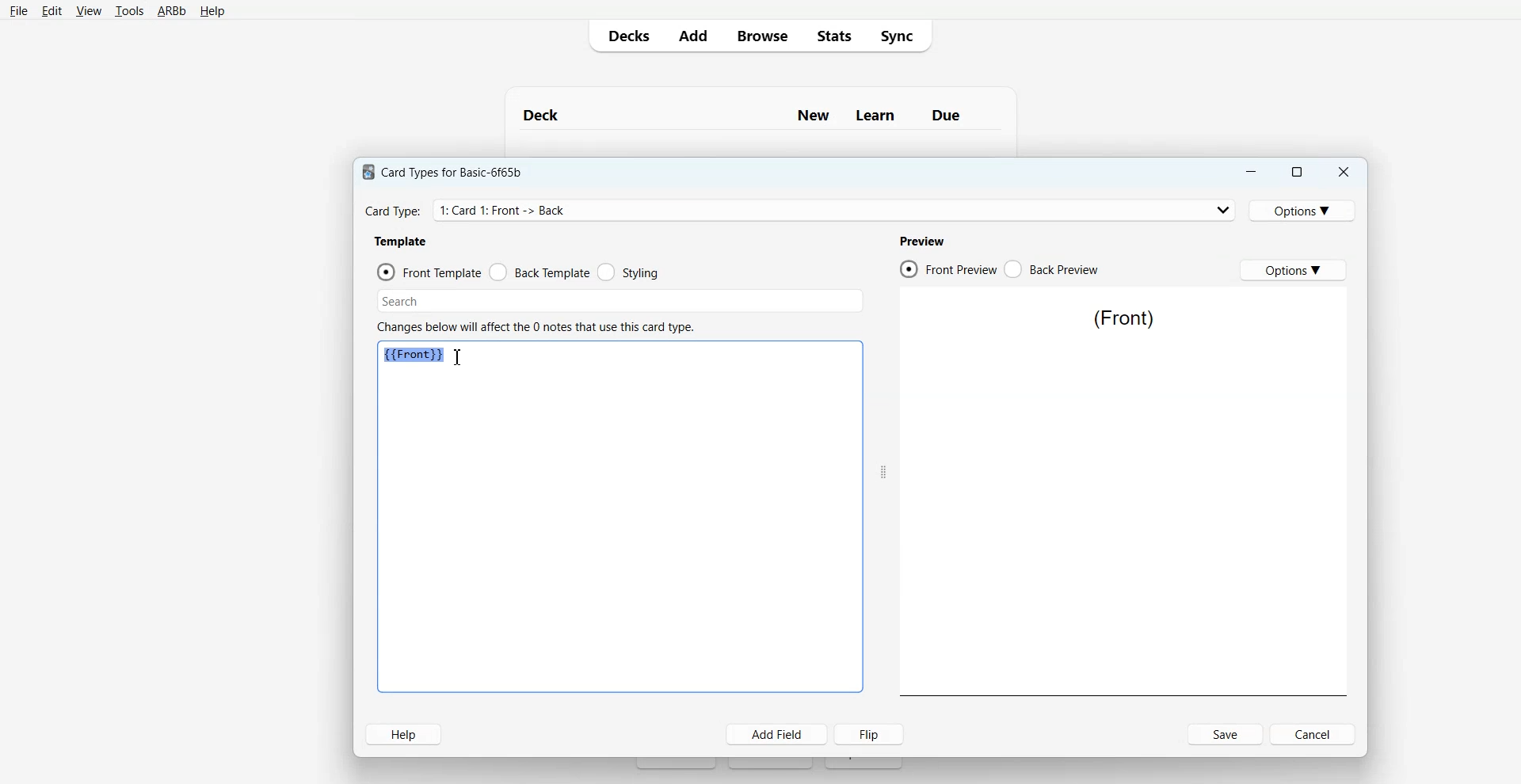 The image size is (1521, 784). What do you see at coordinates (404, 734) in the screenshot?
I see `Help` at bounding box center [404, 734].